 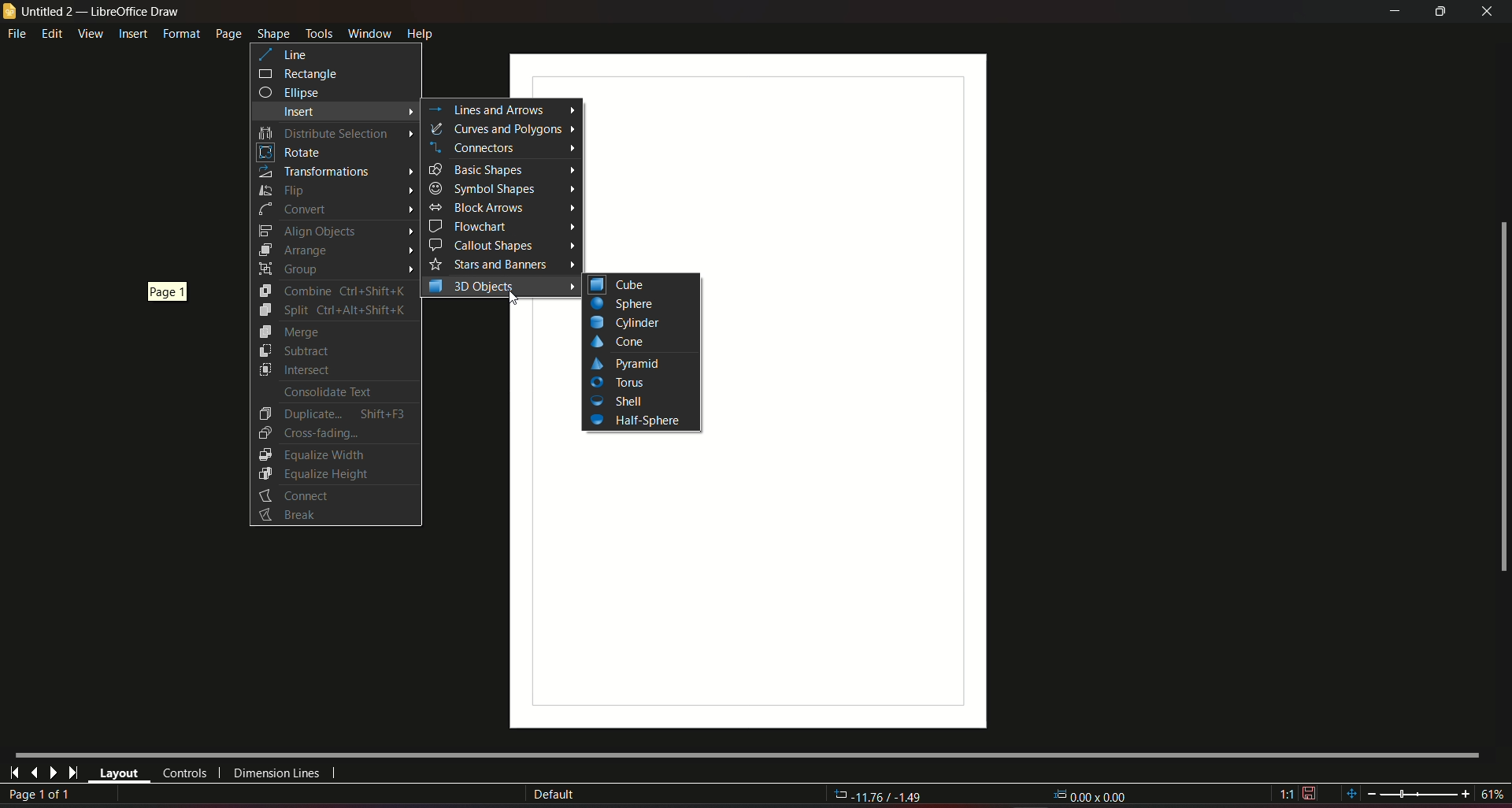 I want to click on scrollbar, so click(x=1502, y=398).